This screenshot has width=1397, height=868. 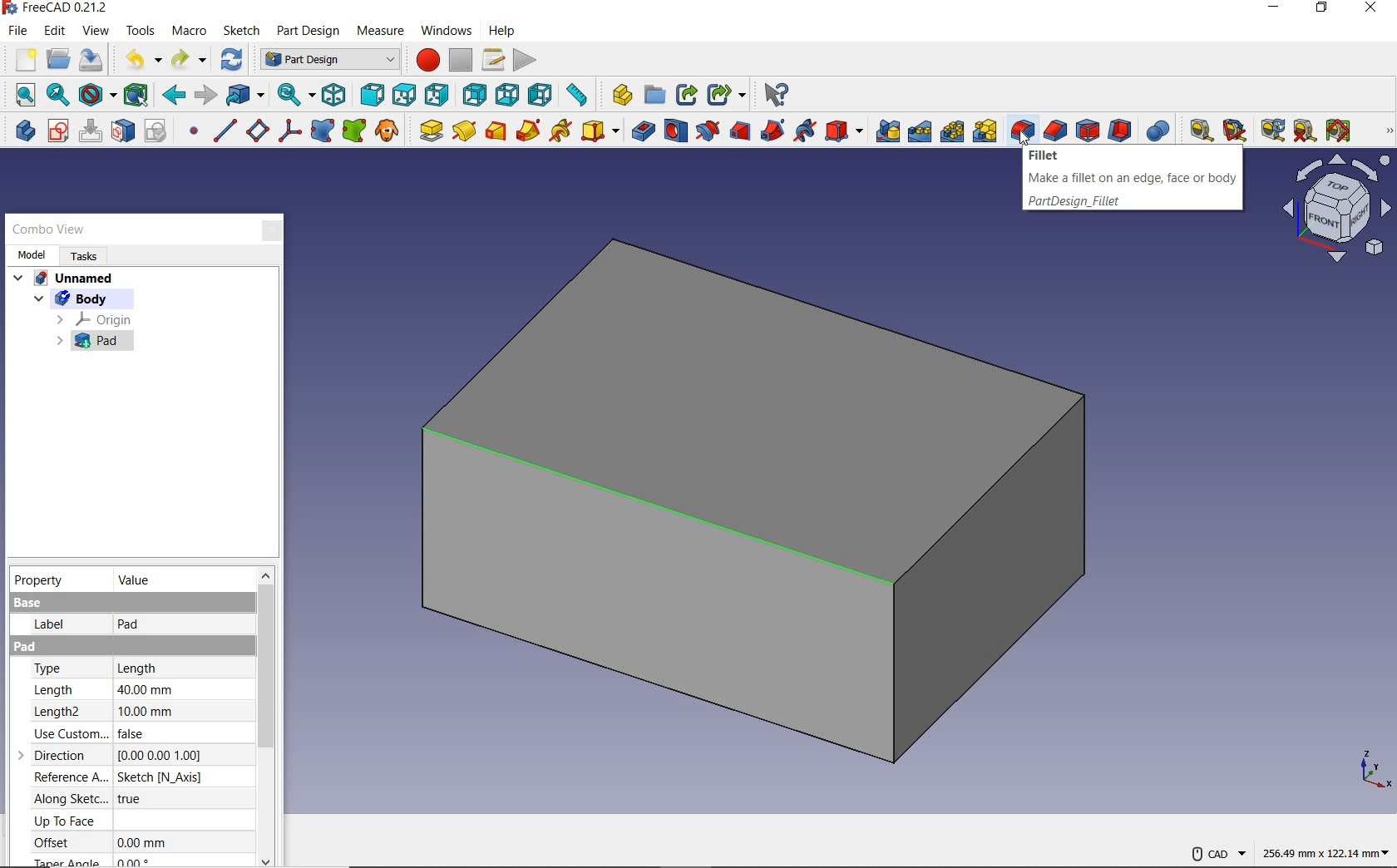 I want to click on sync view, so click(x=295, y=94).